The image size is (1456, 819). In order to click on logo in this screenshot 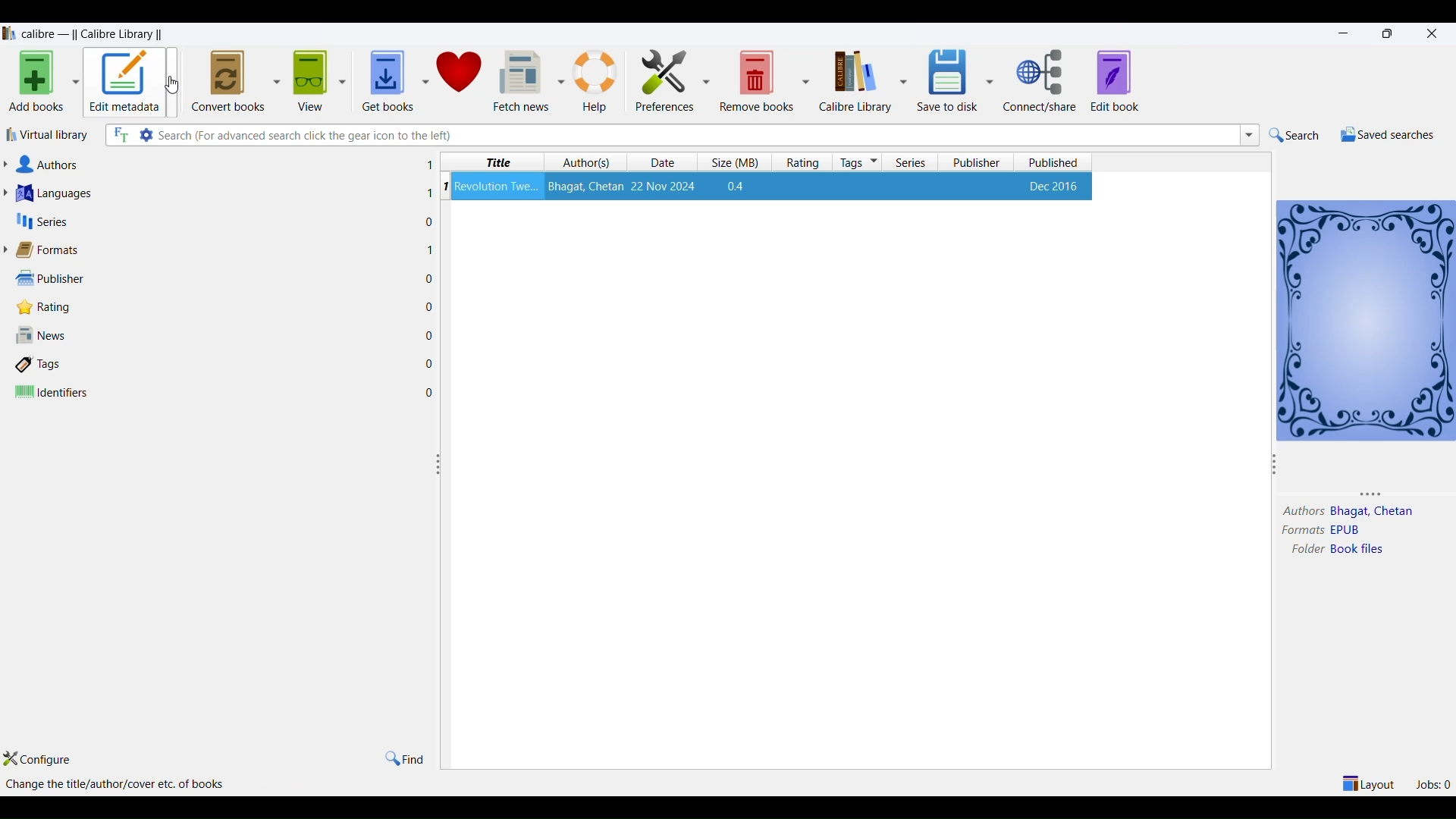, I will do `click(9, 32)`.